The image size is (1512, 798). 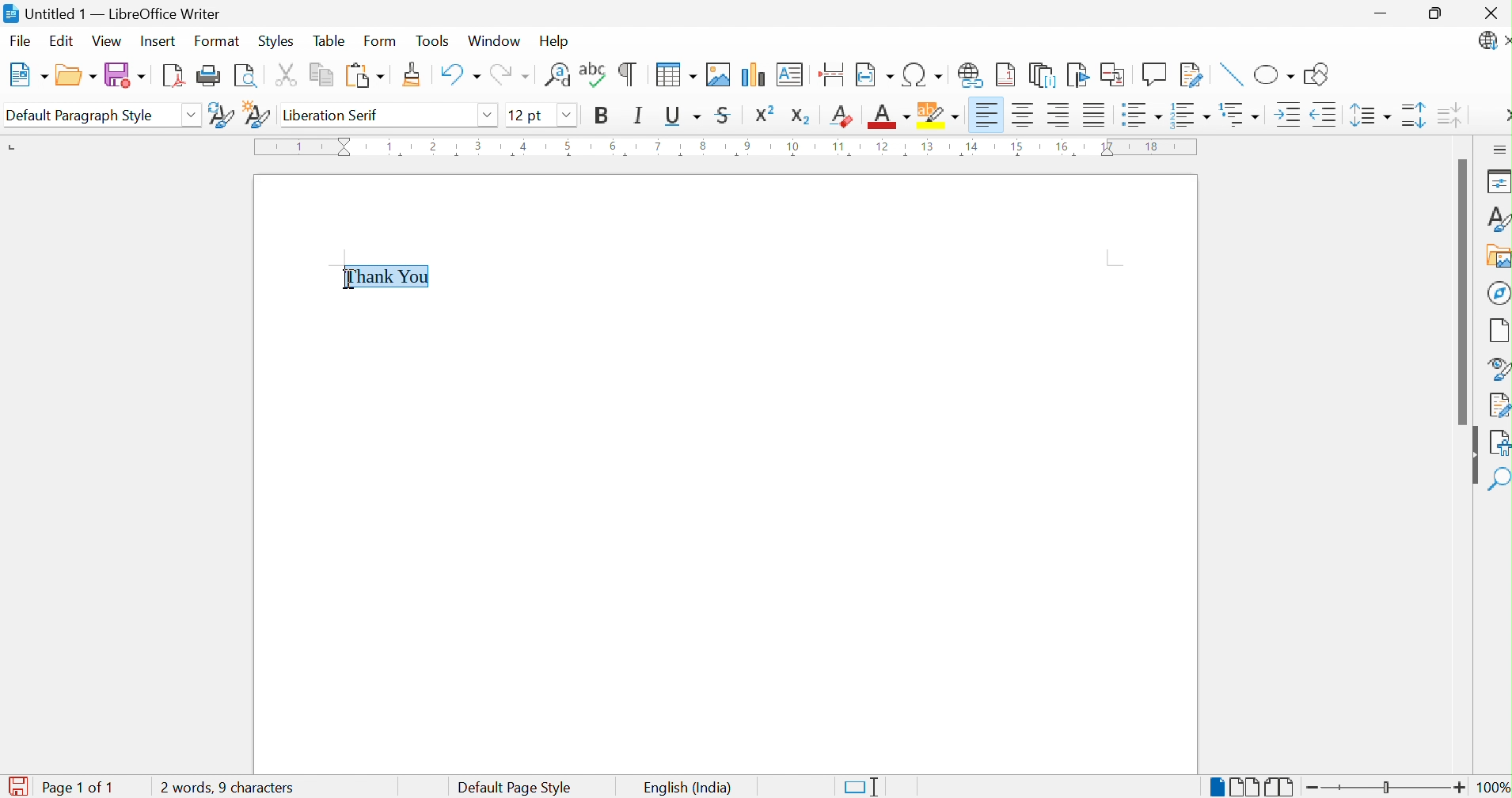 What do you see at coordinates (686, 787) in the screenshot?
I see `English (India)` at bounding box center [686, 787].